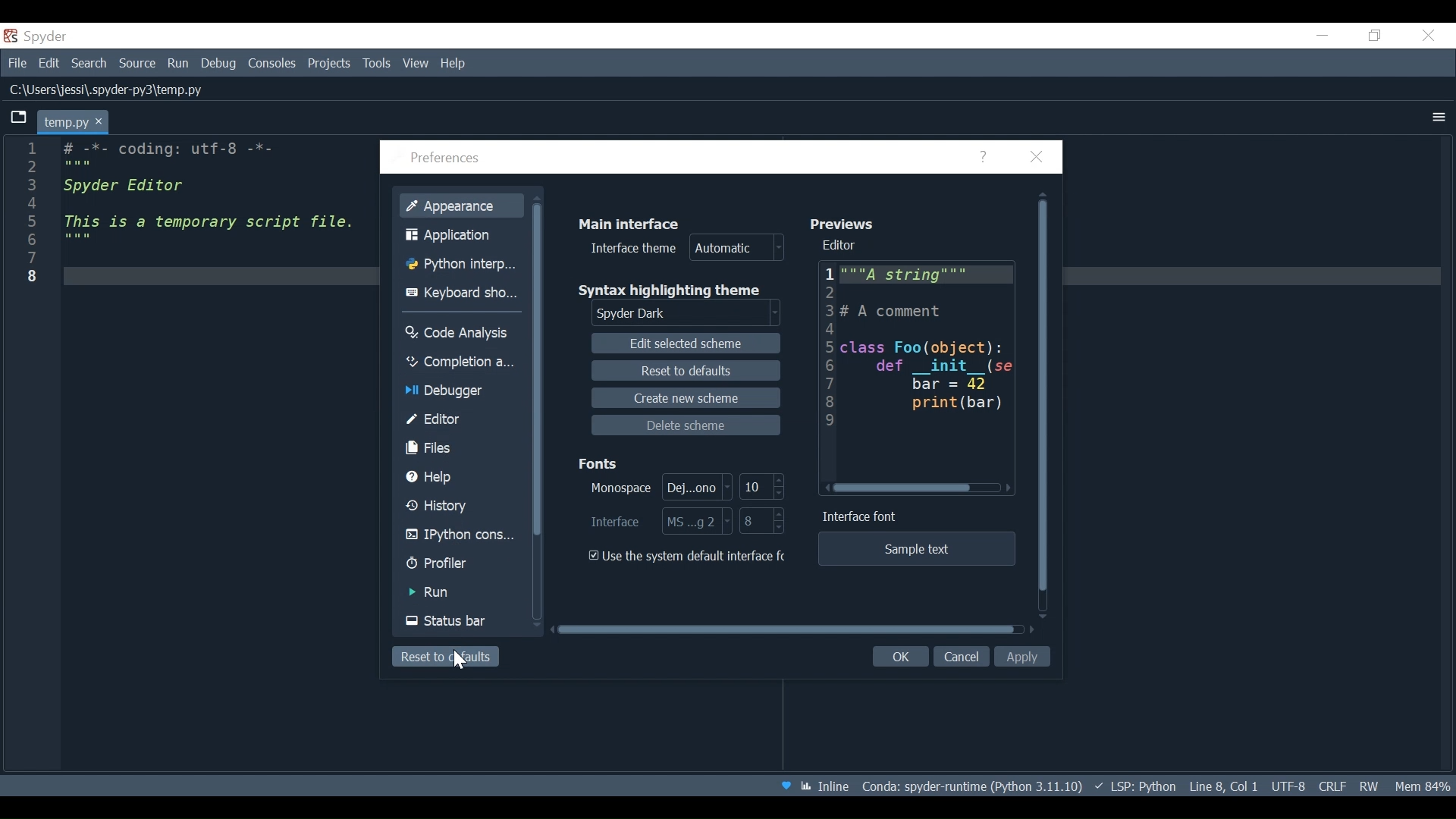 Image resolution: width=1456 pixels, height=819 pixels. I want to click on Editor, so click(918, 353).